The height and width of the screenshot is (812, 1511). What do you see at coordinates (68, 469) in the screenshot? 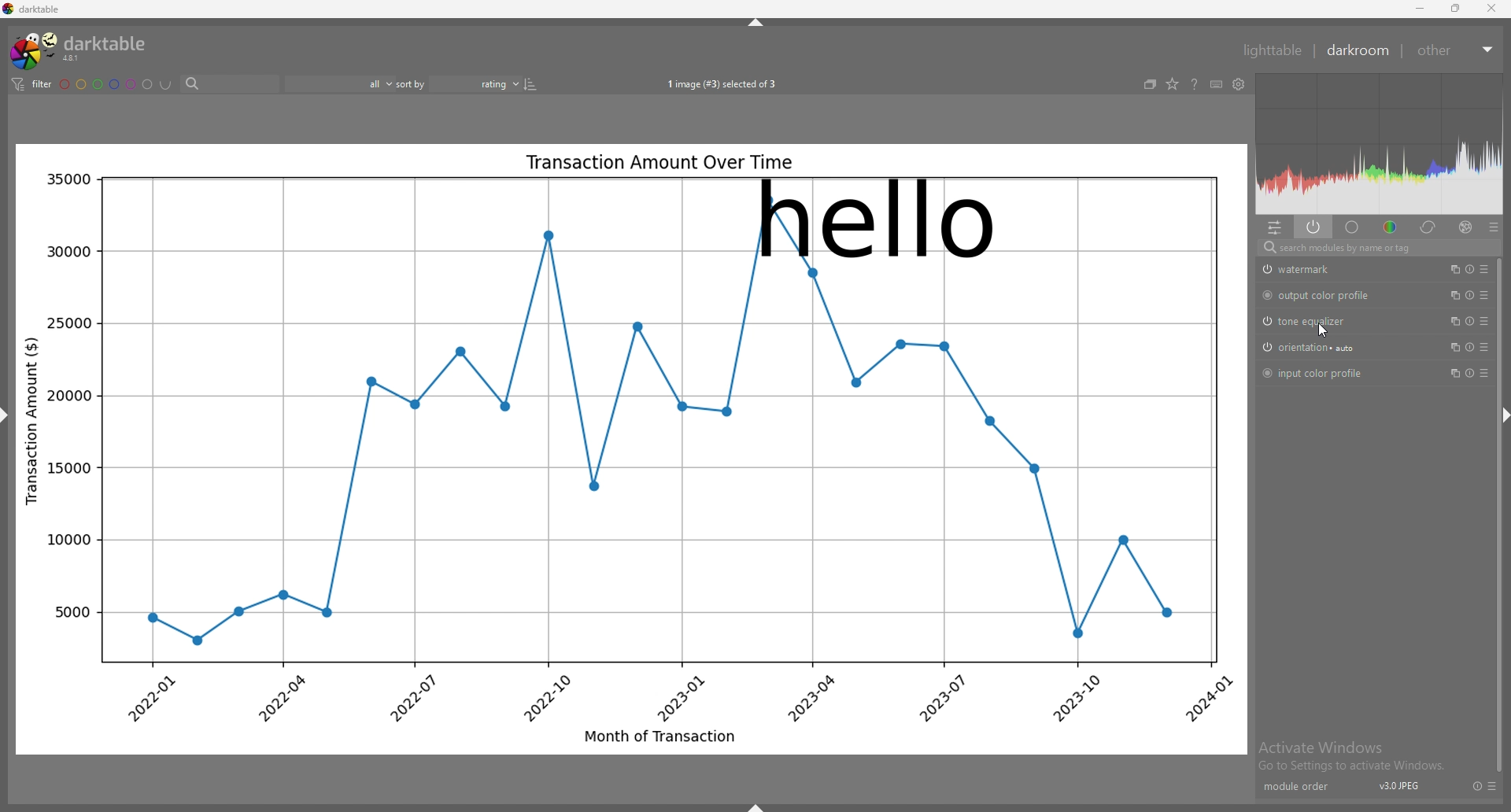
I see `15000` at bounding box center [68, 469].